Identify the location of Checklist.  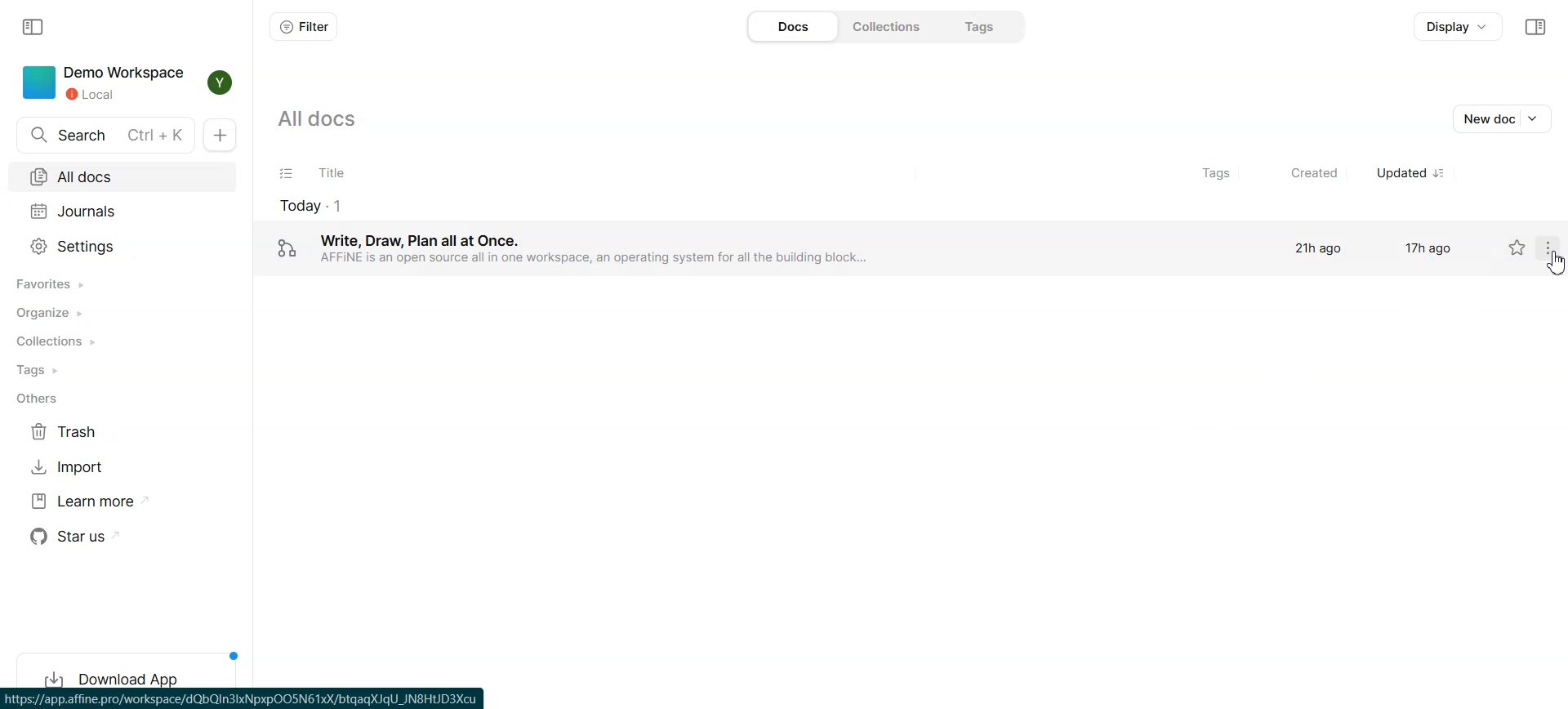
(286, 173).